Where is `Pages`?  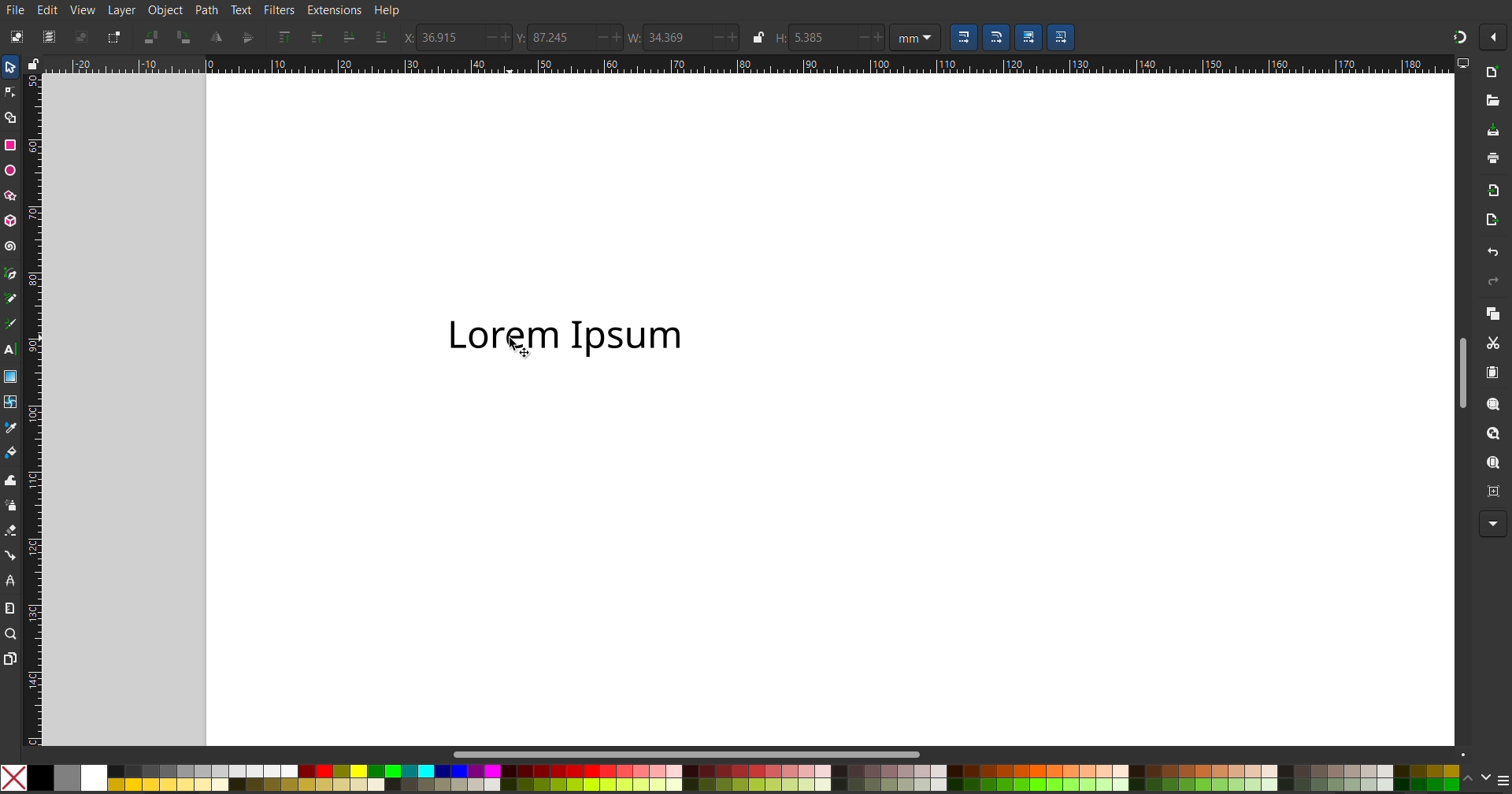 Pages is located at coordinates (10, 659).